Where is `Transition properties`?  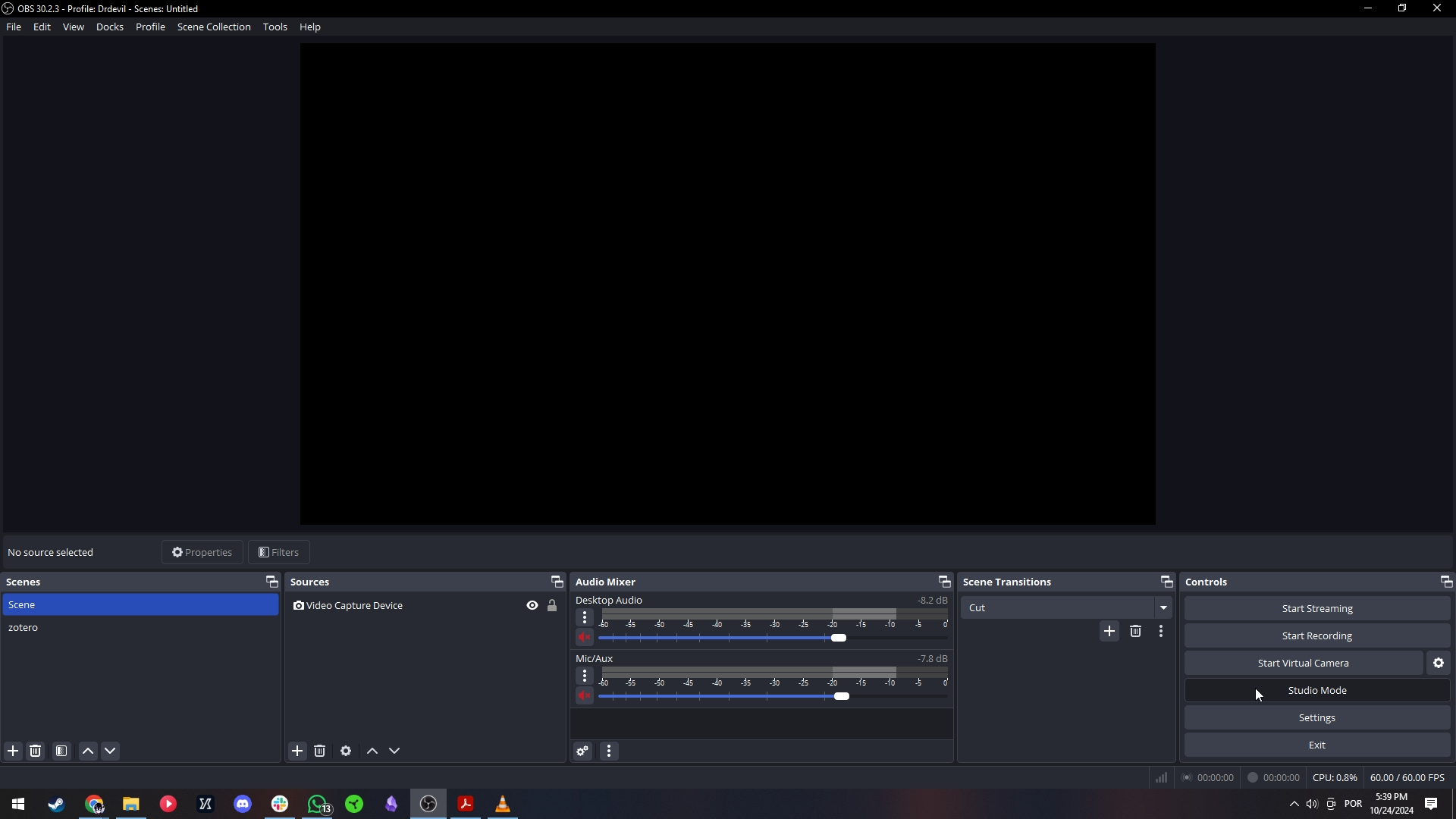
Transition properties is located at coordinates (1163, 631).